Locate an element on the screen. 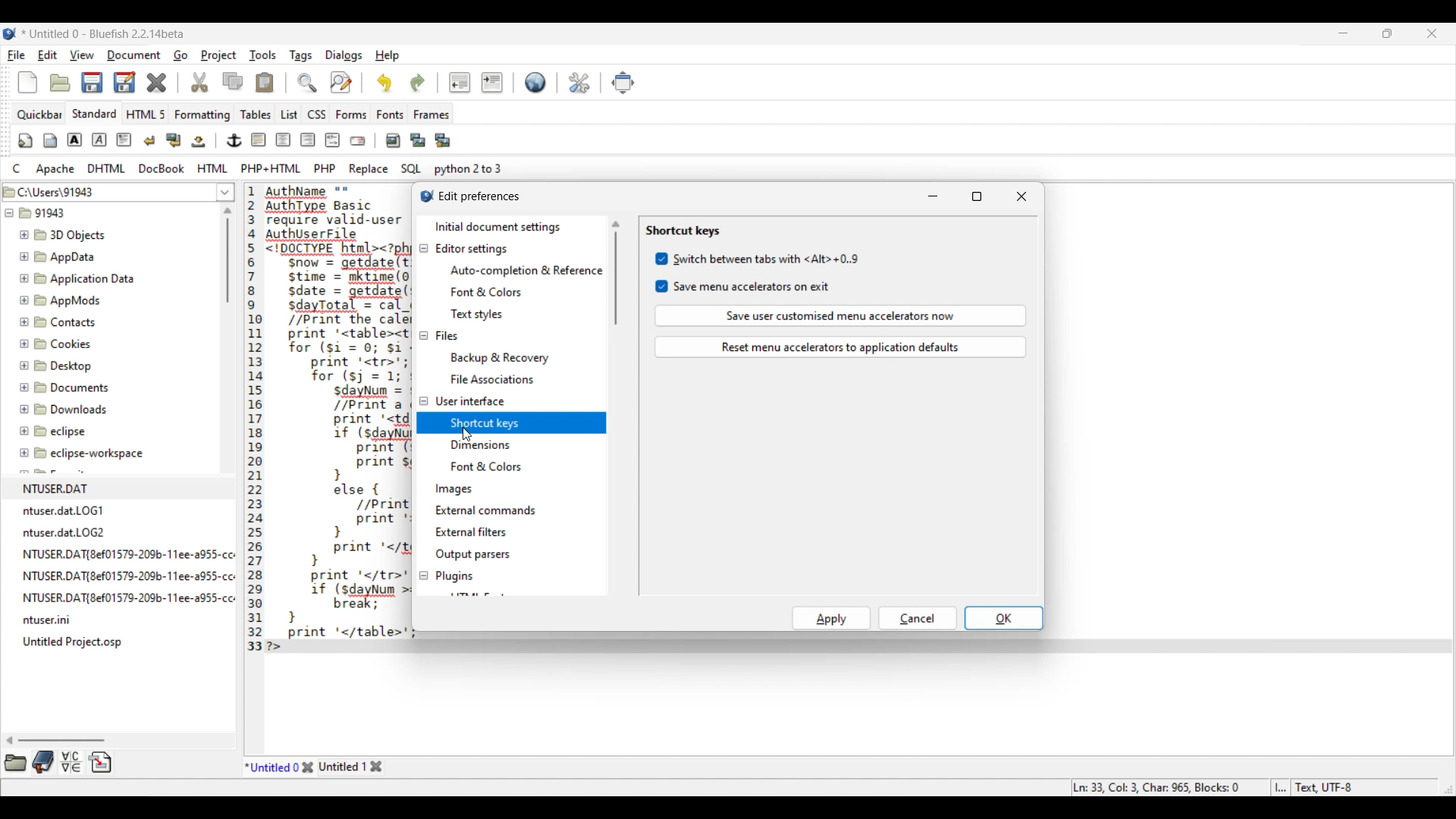  Quickbar is located at coordinates (39, 115).